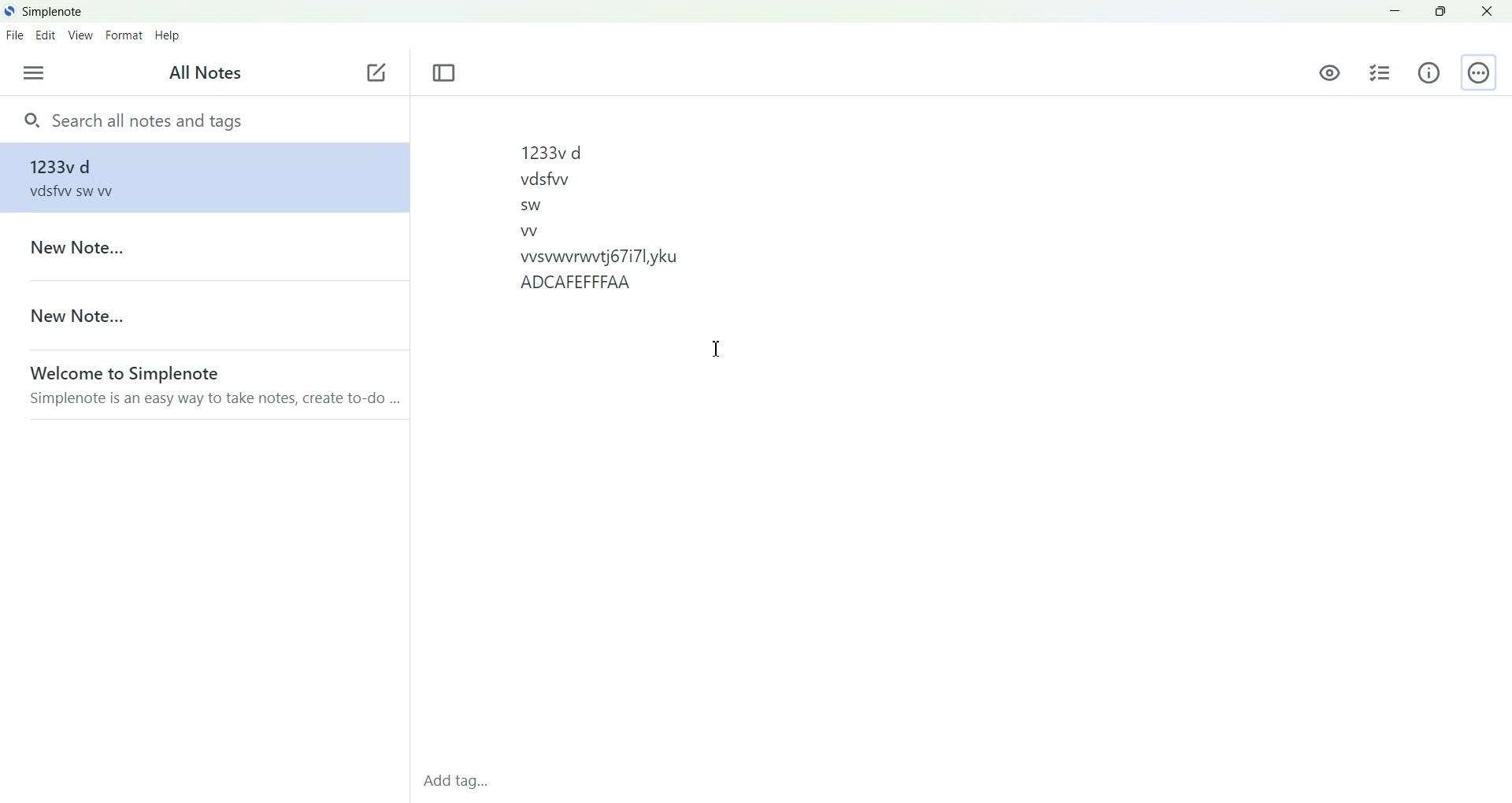  I want to click on Text Cursor, so click(717, 347).